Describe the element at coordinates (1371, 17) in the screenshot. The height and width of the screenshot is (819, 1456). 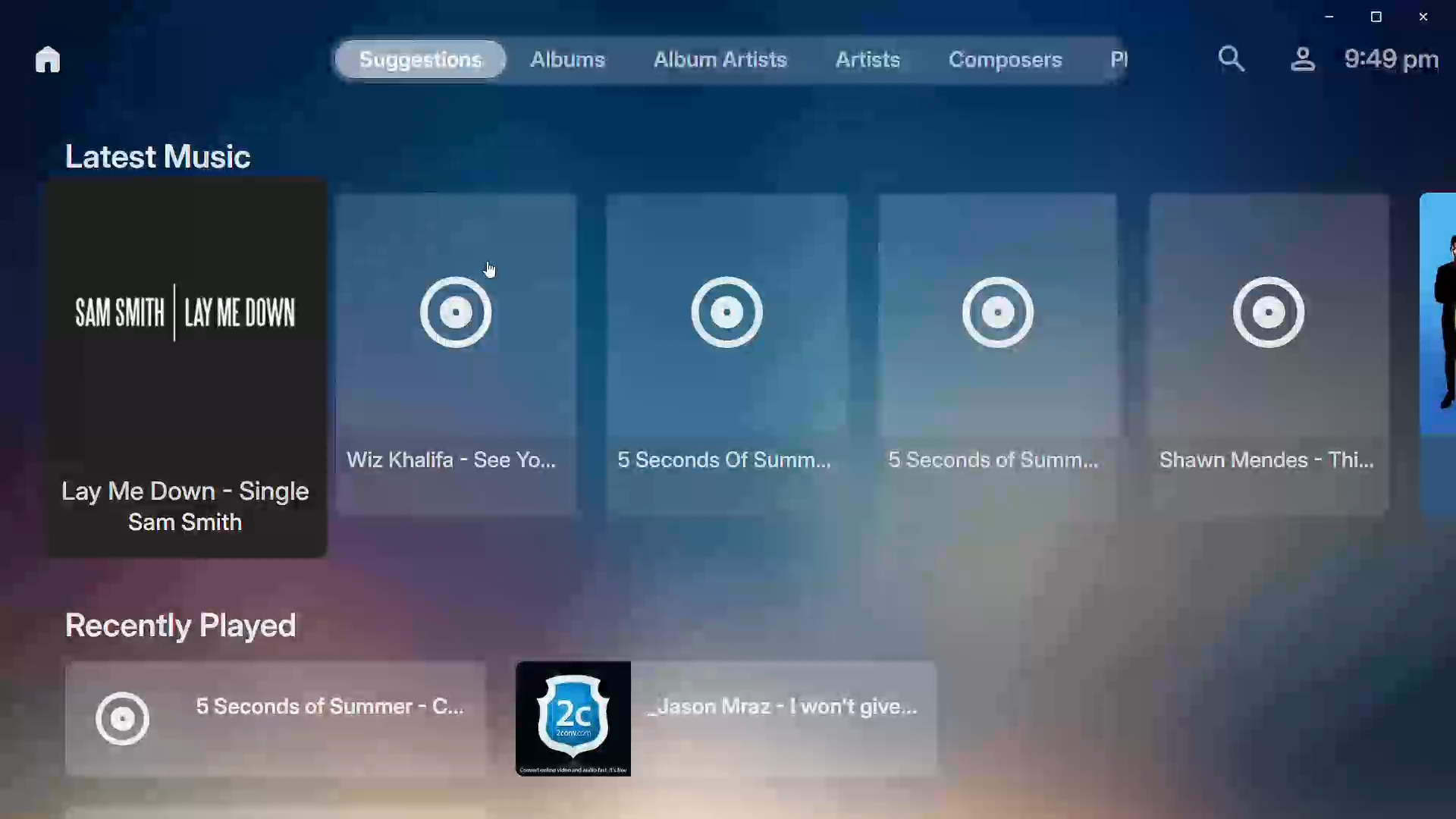
I see `Restore` at that location.